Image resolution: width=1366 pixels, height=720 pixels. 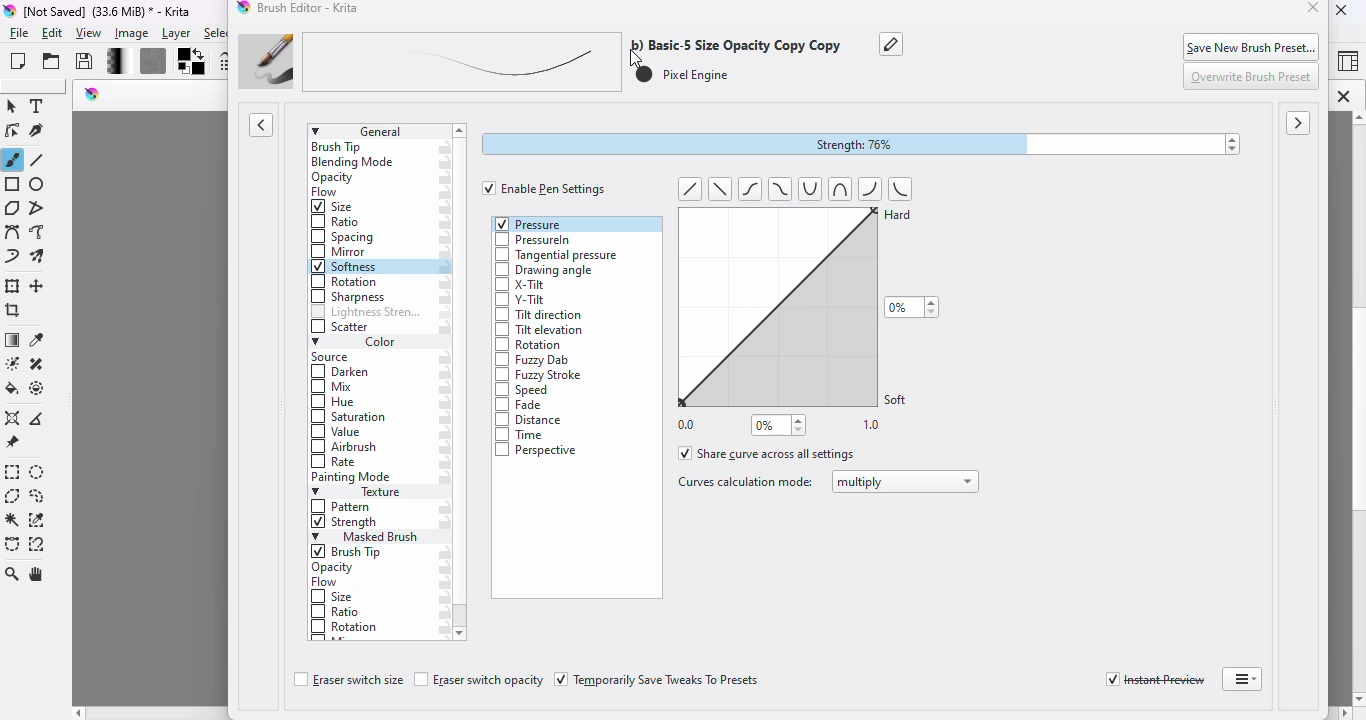 I want to click on 0%, so click(x=779, y=425).